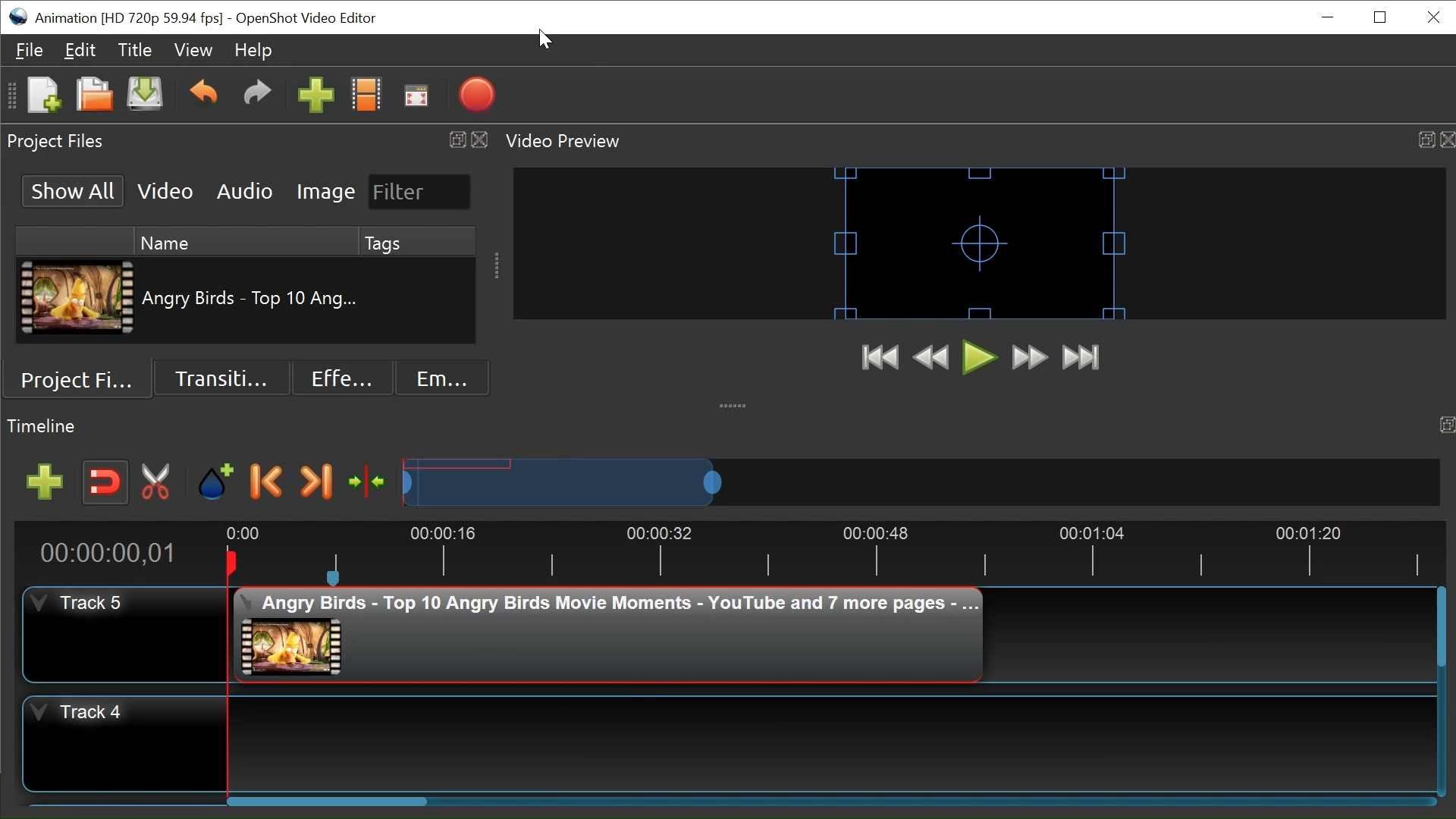 The height and width of the screenshot is (819, 1456). Describe the element at coordinates (1379, 17) in the screenshot. I see `Restore` at that location.